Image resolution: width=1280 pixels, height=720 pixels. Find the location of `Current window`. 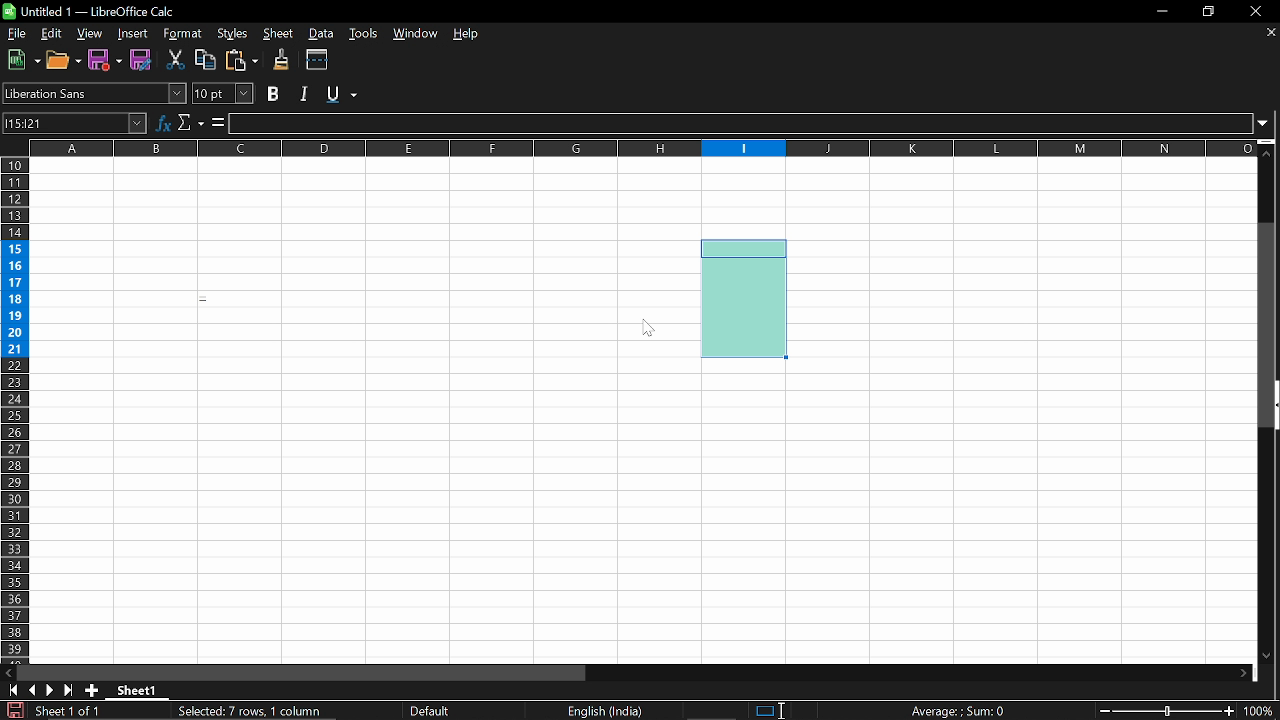

Current window is located at coordinates (99, 11).